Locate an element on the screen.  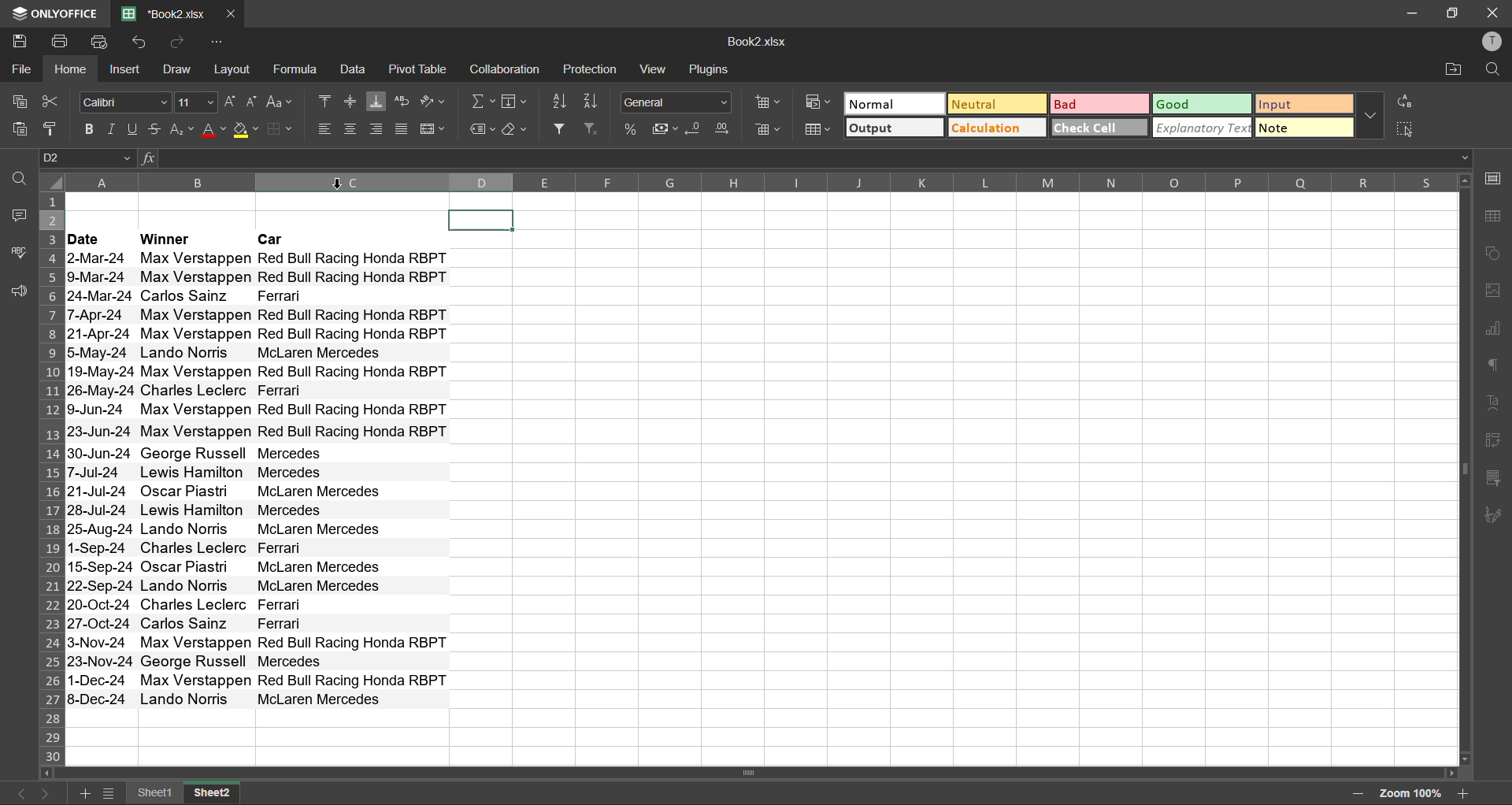
comments is located at coordinates (20, 215).